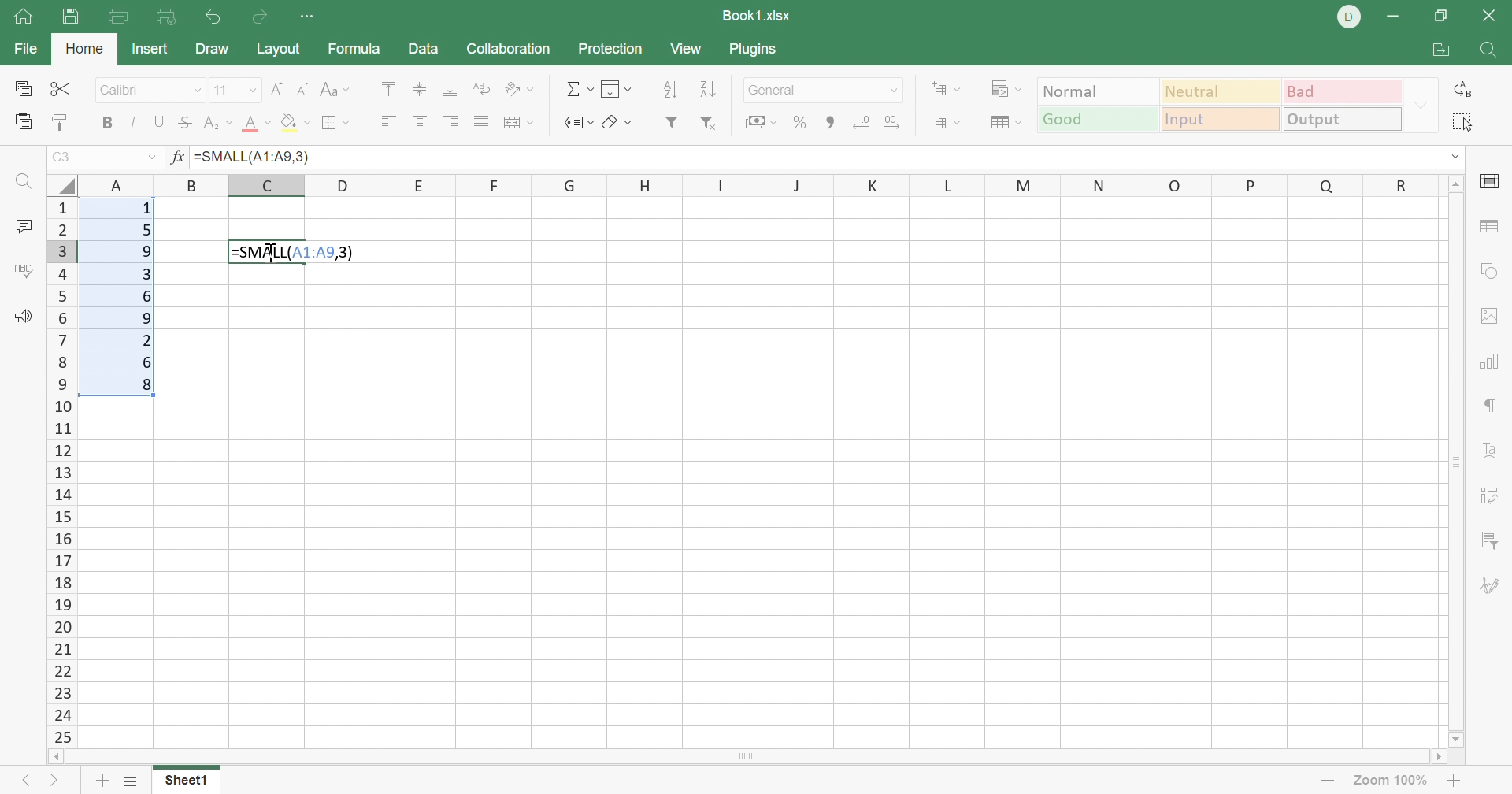  Describe the element at coordinates (1222, 92) in the screenshot. I see `Neutral` at that location.